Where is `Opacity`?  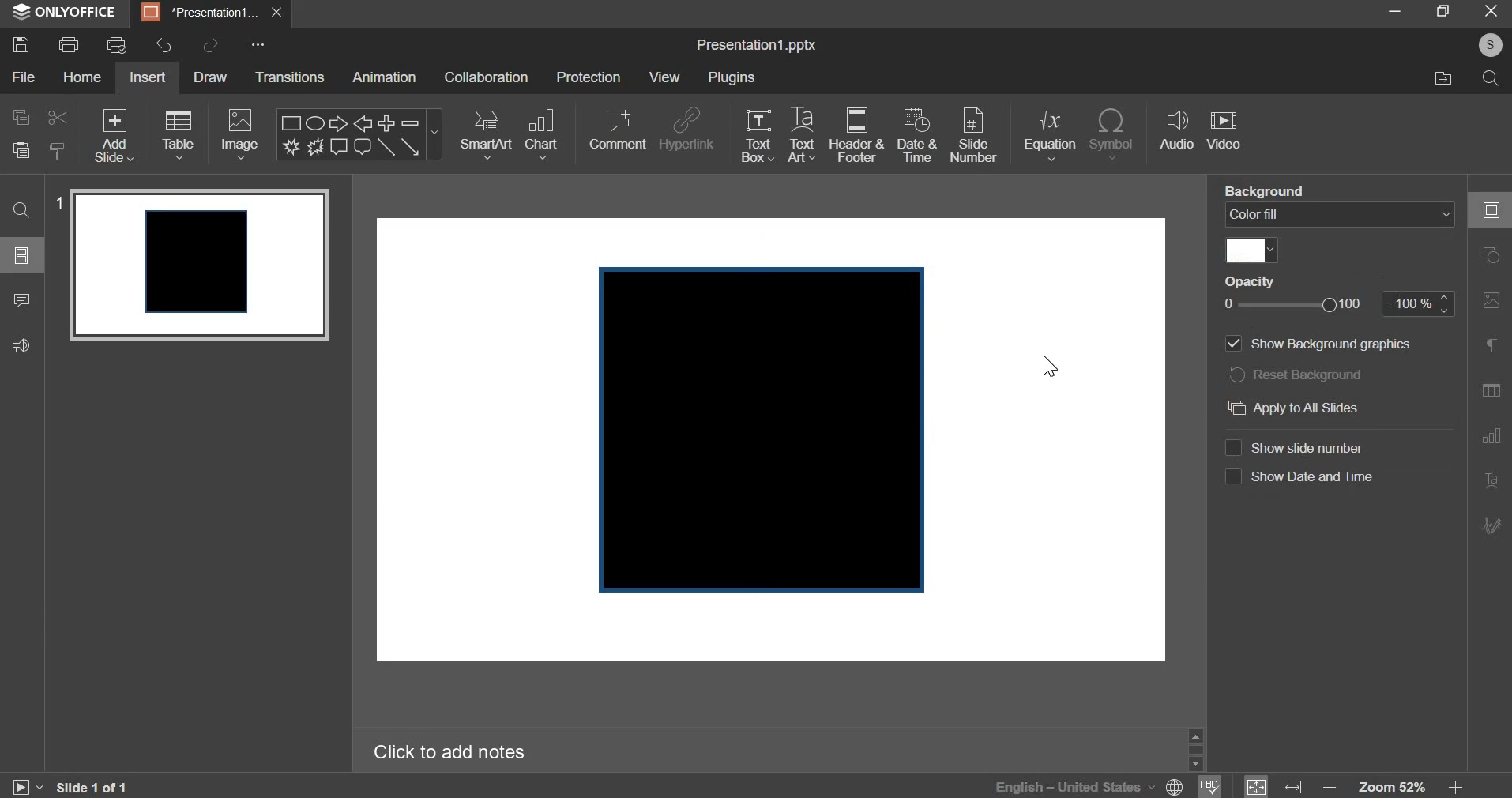 Opacity is located at coordinates (1251, 281).